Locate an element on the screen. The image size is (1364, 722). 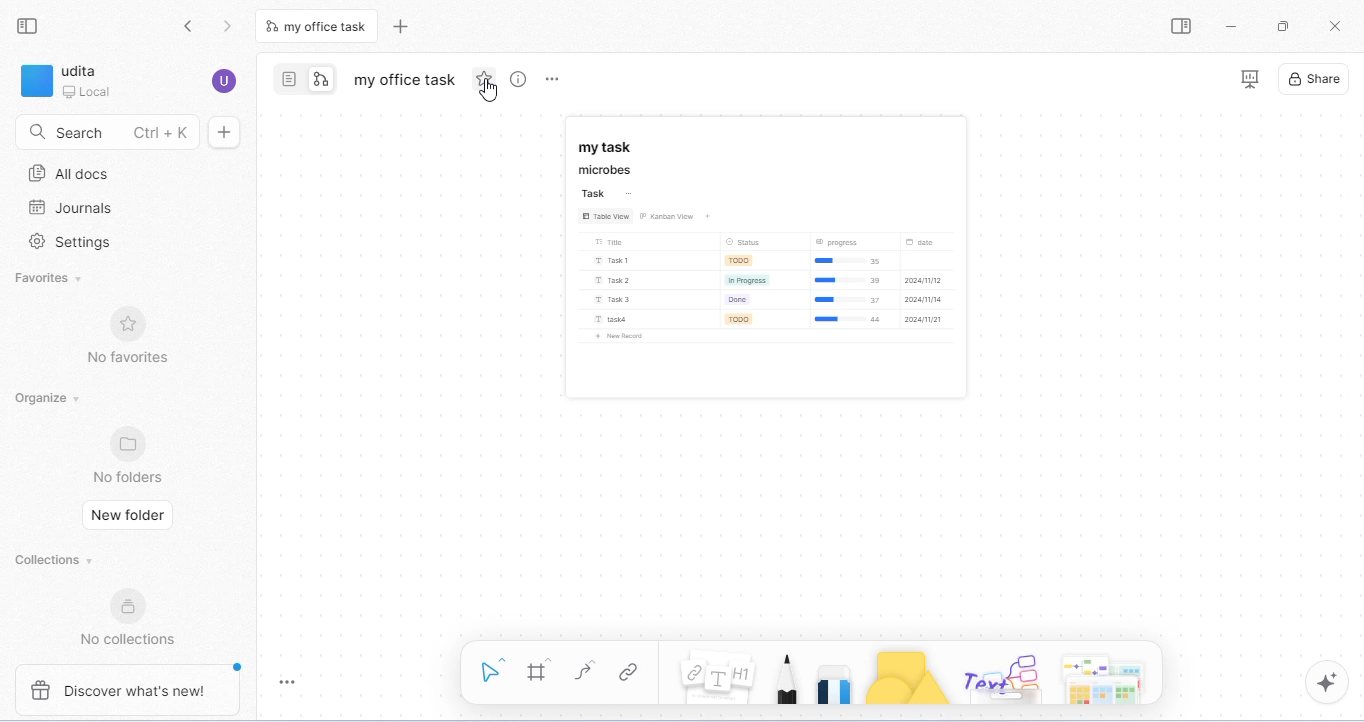
all docs is located at coordinates (69, 173).